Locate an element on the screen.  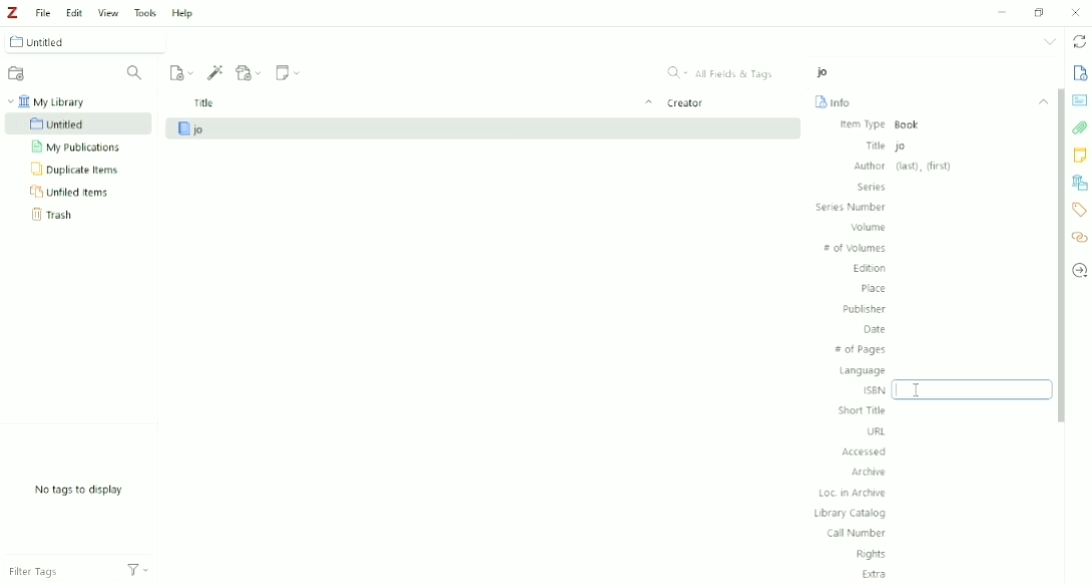
Extra is located at coordinates (875, 574).